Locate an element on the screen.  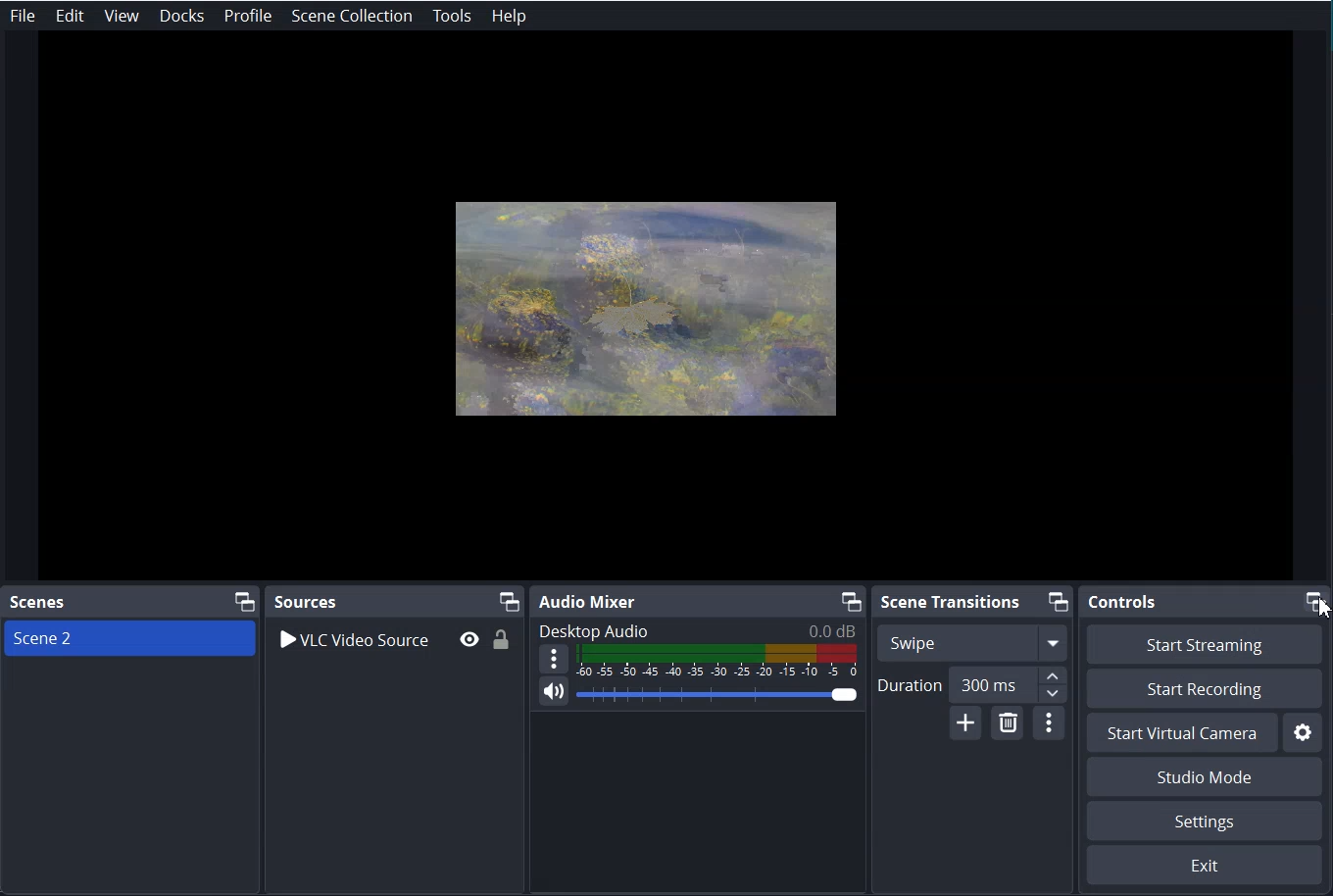
Transition Properties is located at coordinates (1050, 724).